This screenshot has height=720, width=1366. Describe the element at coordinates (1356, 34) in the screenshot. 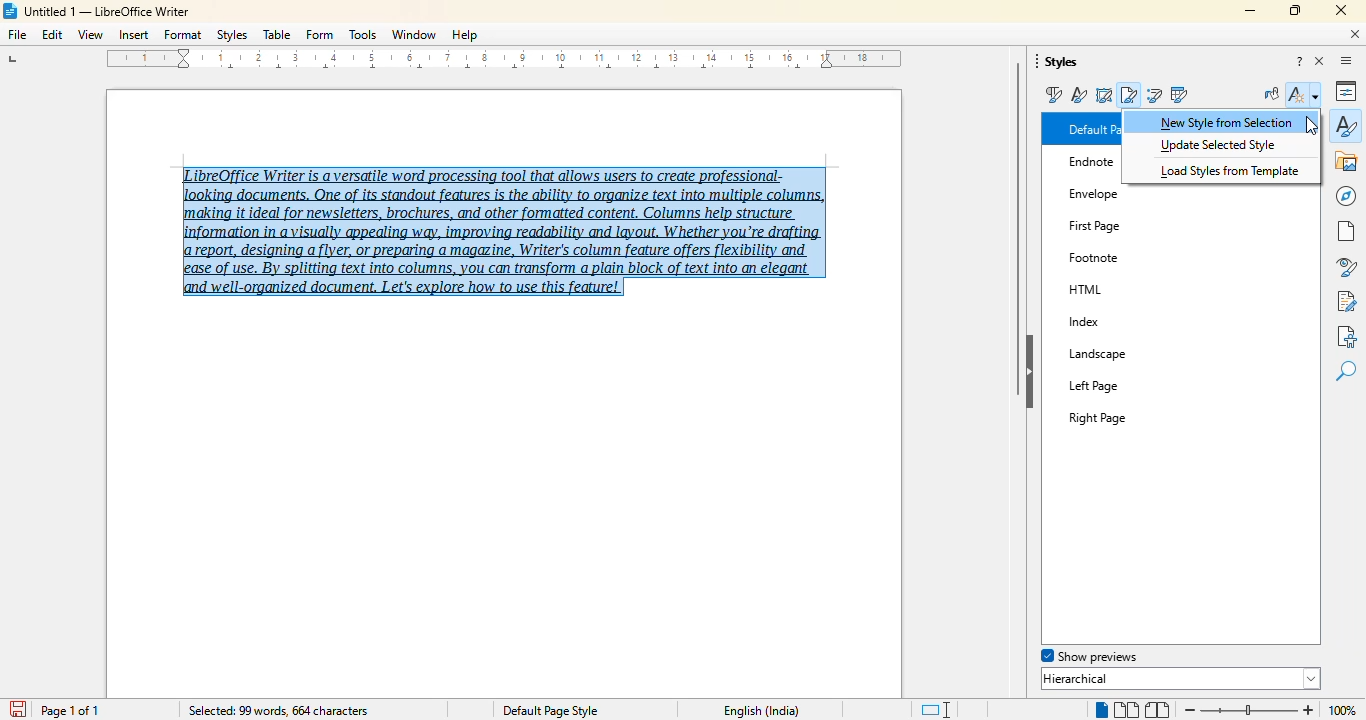

I see `close document` at that location.